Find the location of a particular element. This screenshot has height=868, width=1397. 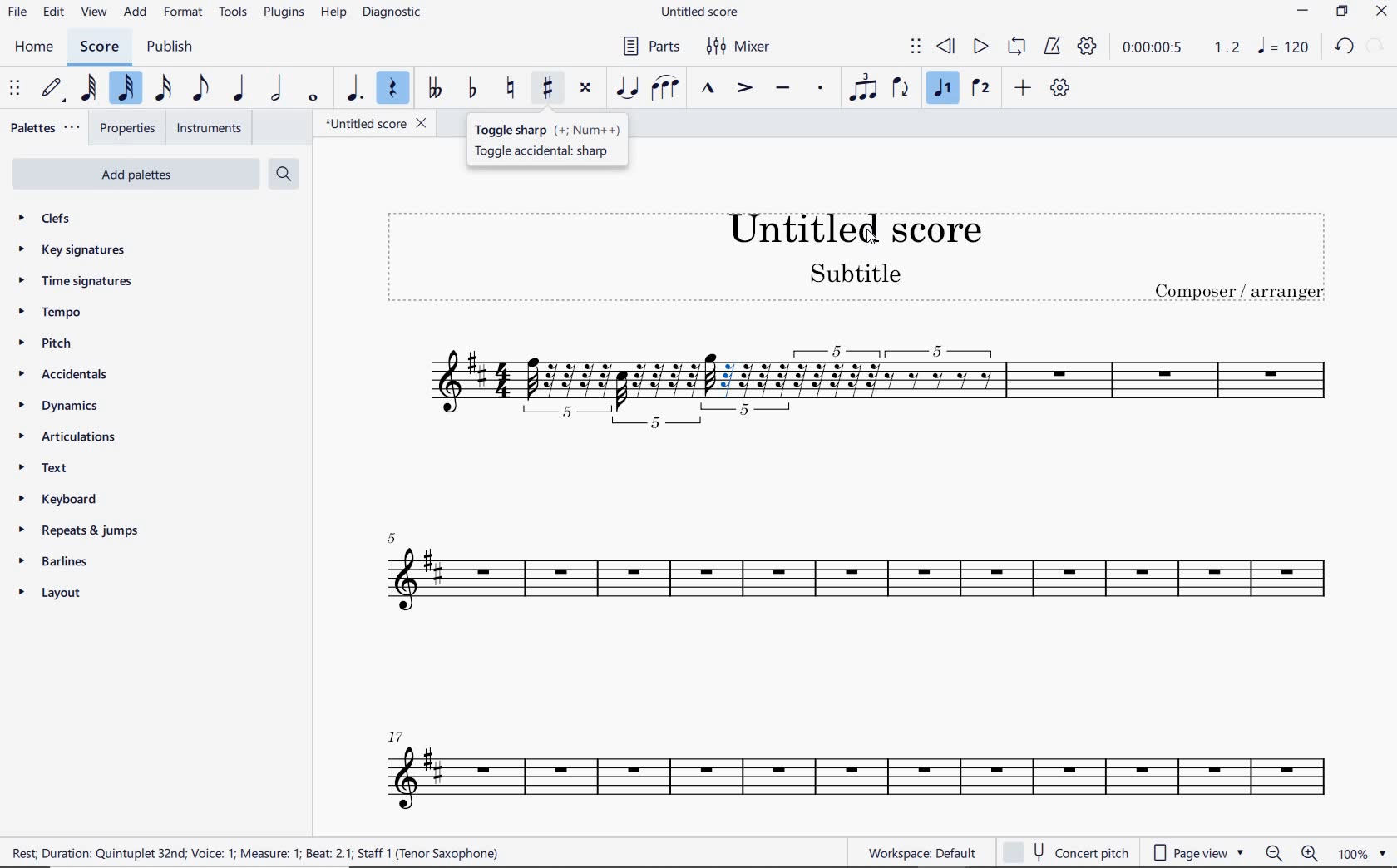

VIEW is located at coordinates (93, 13).